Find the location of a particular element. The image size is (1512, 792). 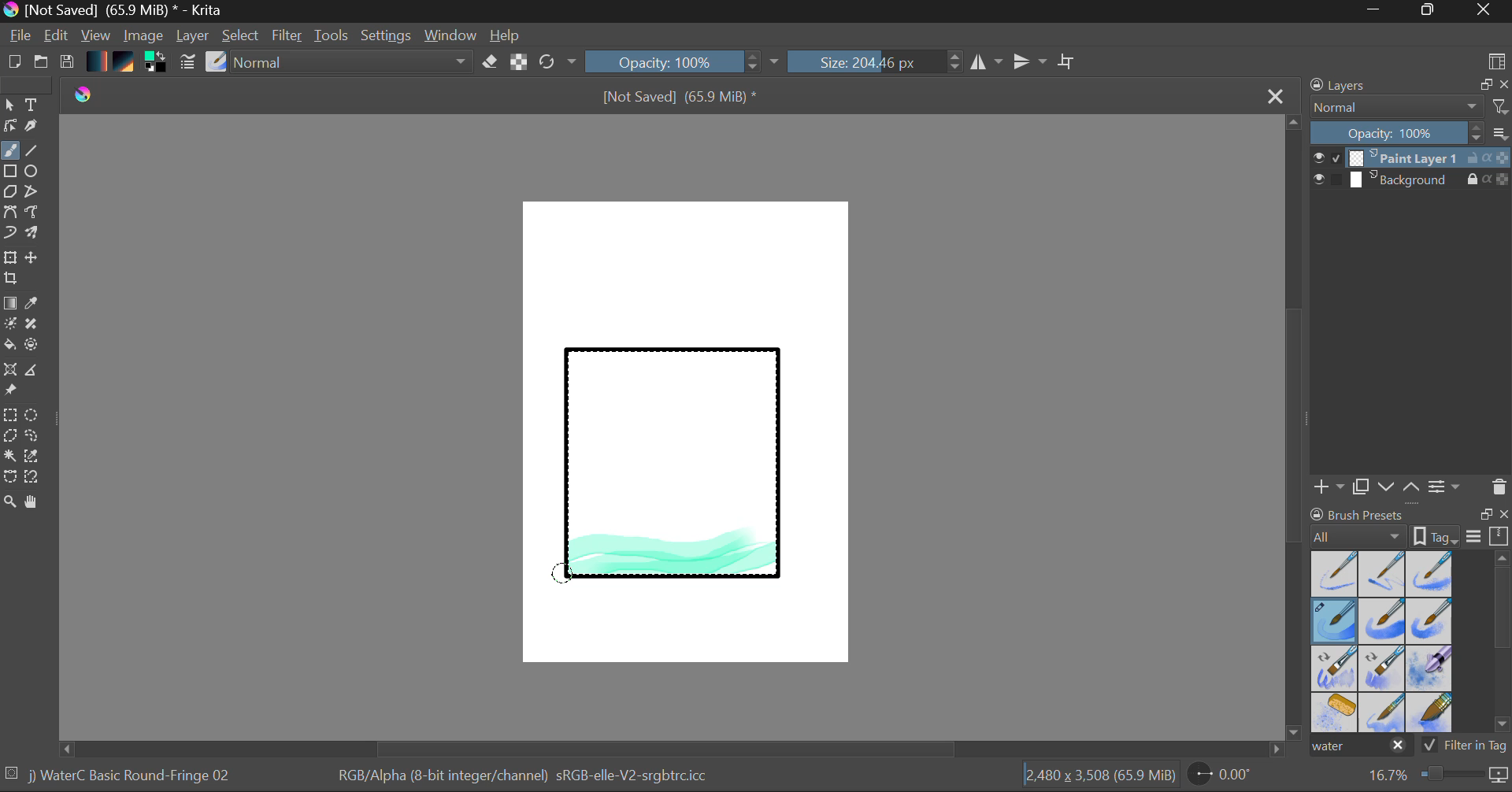

Color Information is located at coordinates (521, 777).